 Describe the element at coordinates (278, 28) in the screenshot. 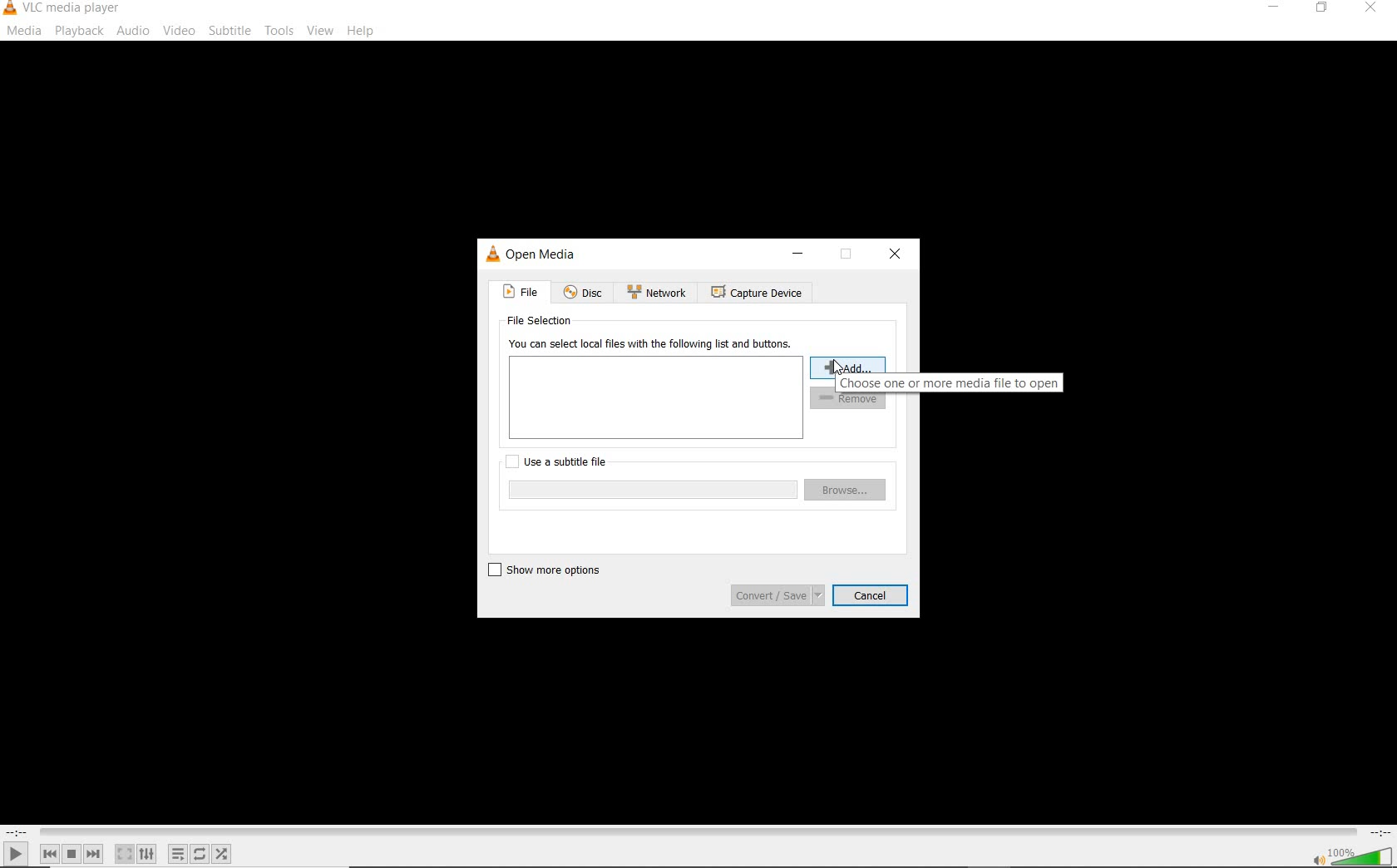

I see `tools` at that location.